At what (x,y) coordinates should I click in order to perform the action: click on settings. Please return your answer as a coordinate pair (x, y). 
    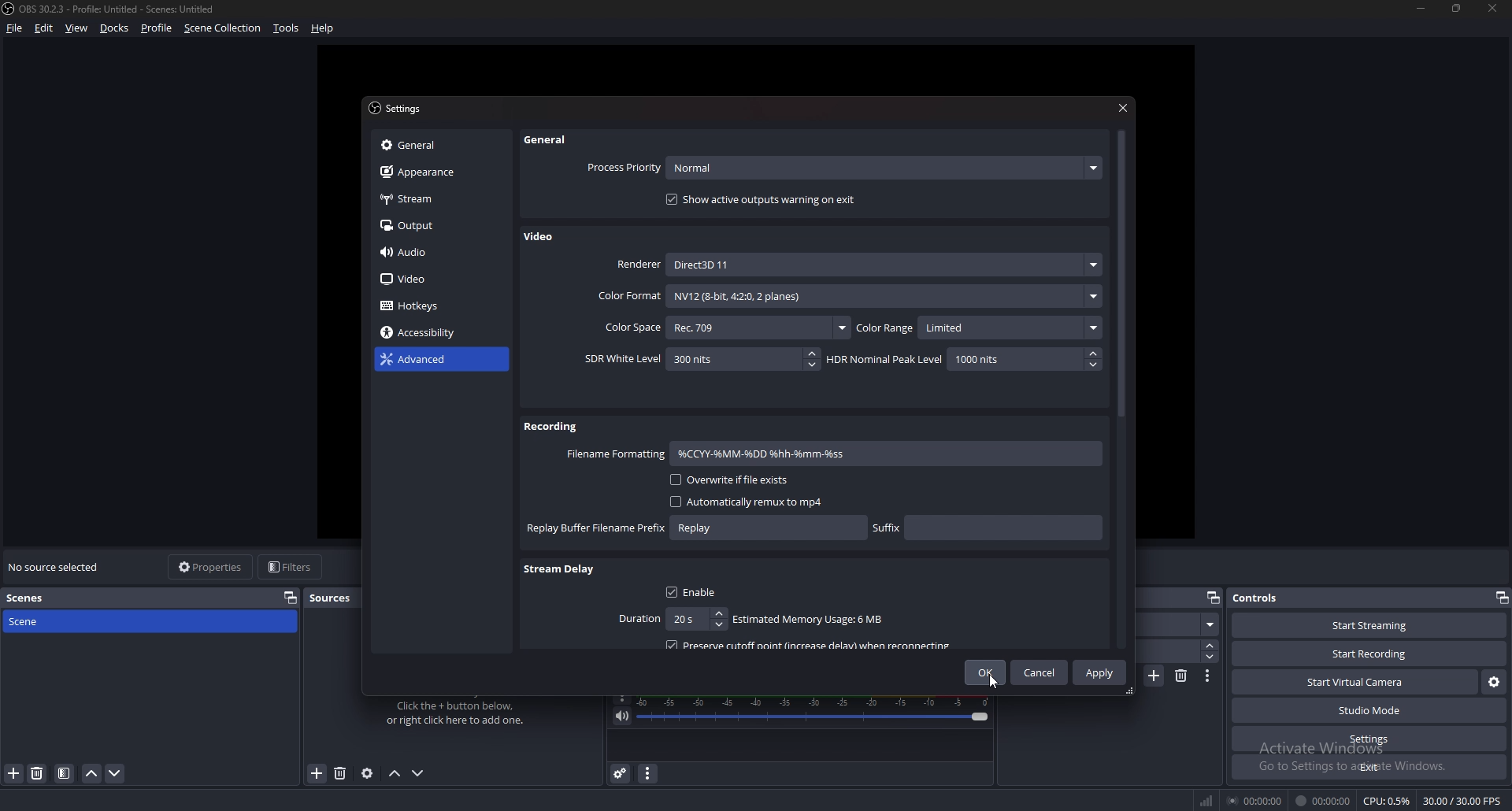
    Looking at the image, I should click on (400, 109).